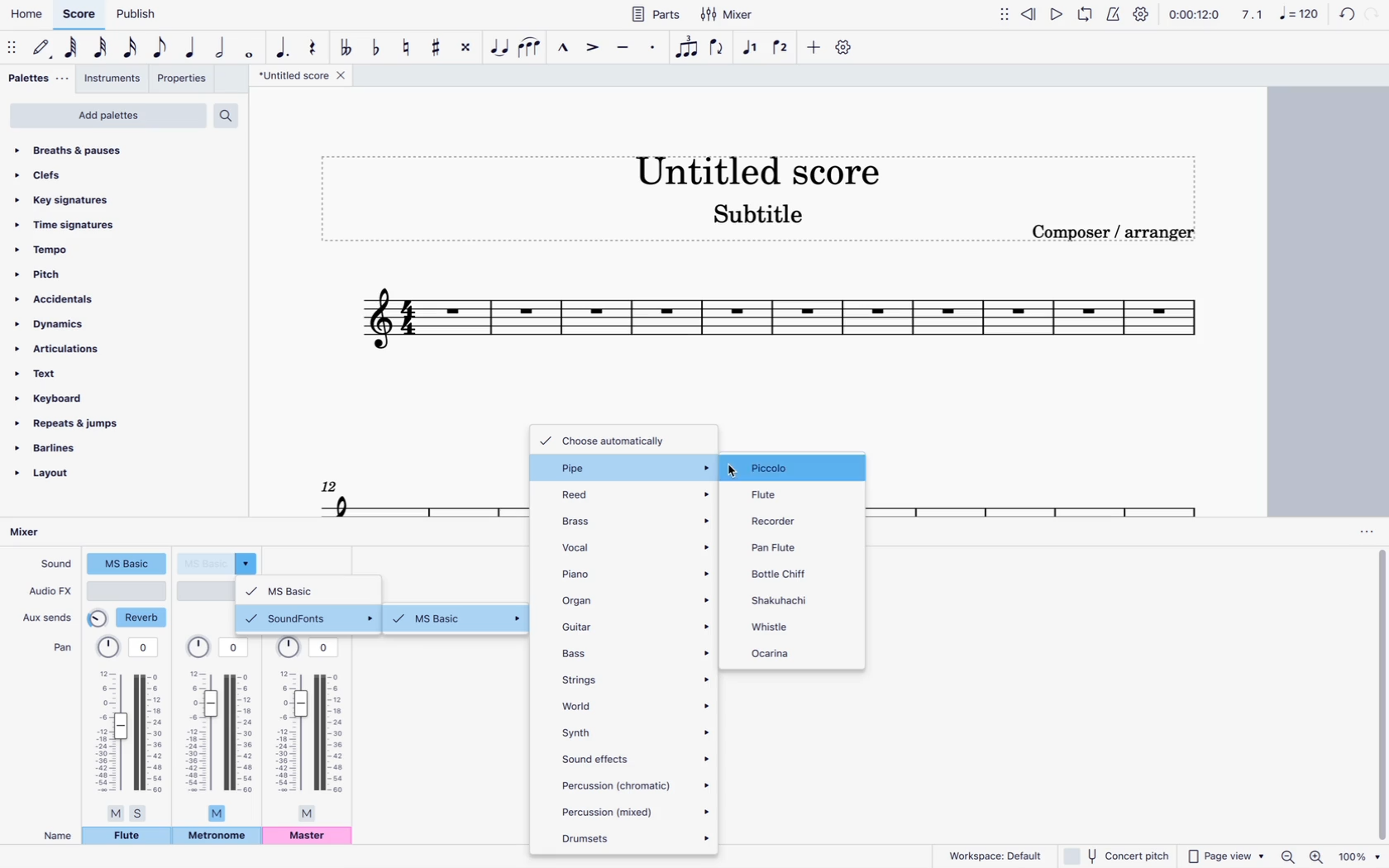 This screenshot has width=1389, height=868. What do you see at coordinates (787, 572) in the screenshot?
I see `bottle chiff` at bounding box center [787, 572].